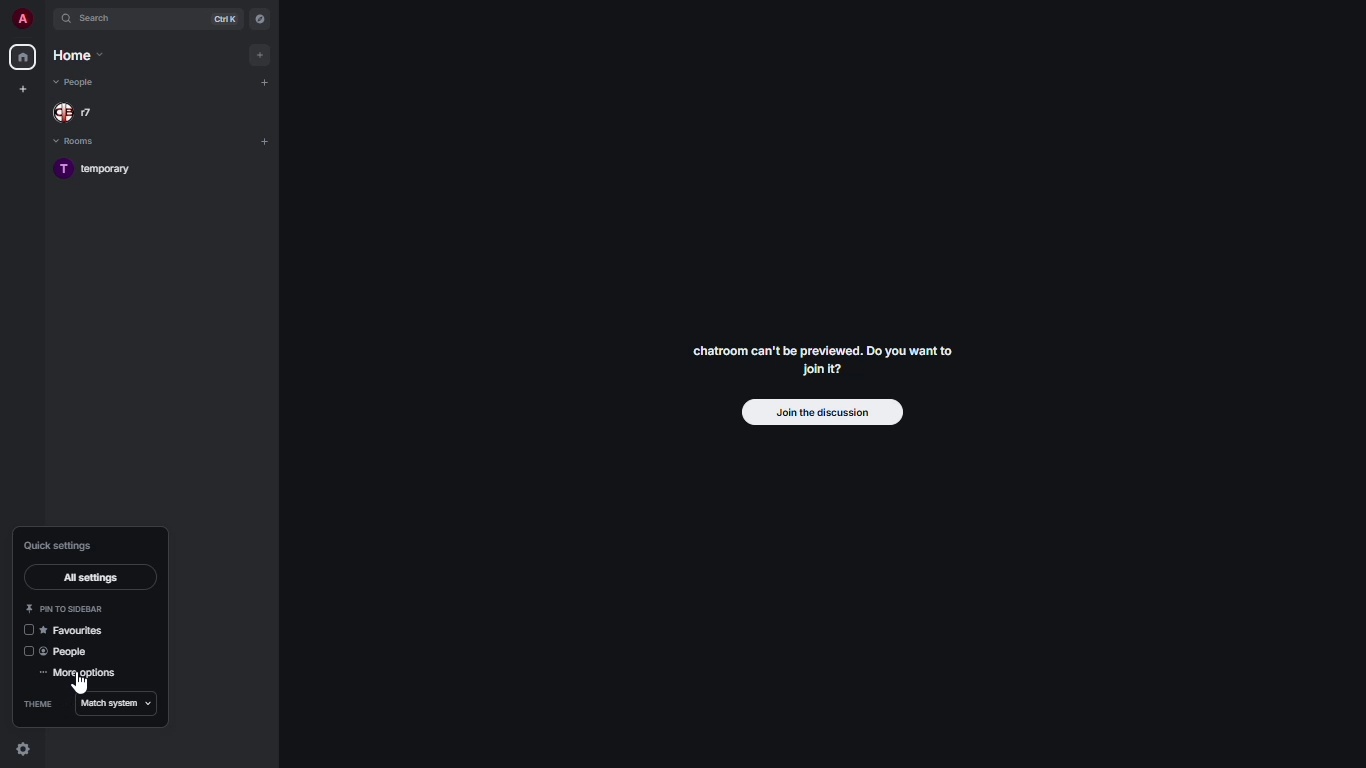  Describe the element at coordinates (80, 113) in the screenshot. I see `people` at that location.